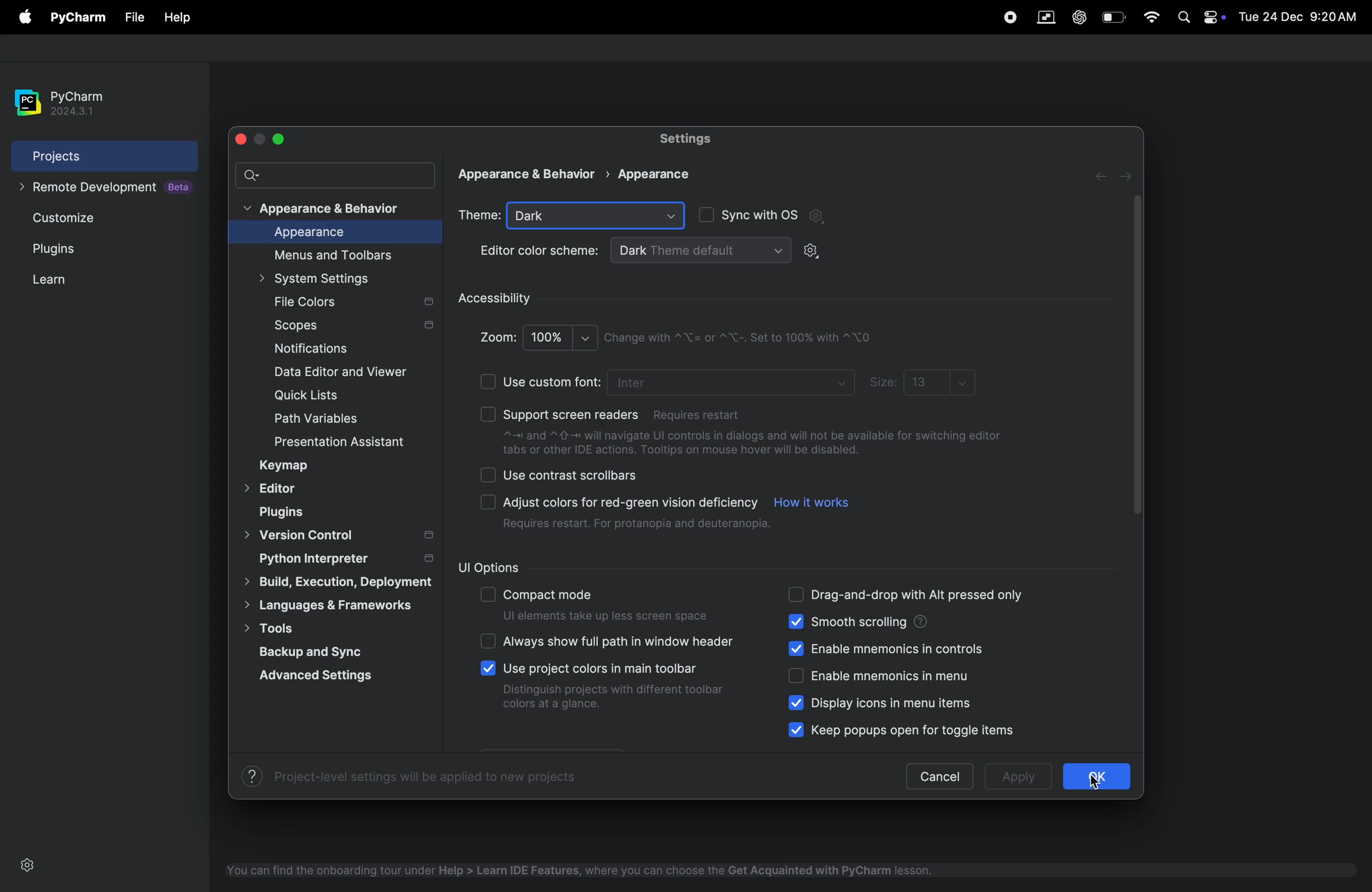 The image size is (1372, 892). What do you see at coordinates (924, 728) in the screenshot?
I see `keep poppup for toggle items` at bounding box center [924, 728].